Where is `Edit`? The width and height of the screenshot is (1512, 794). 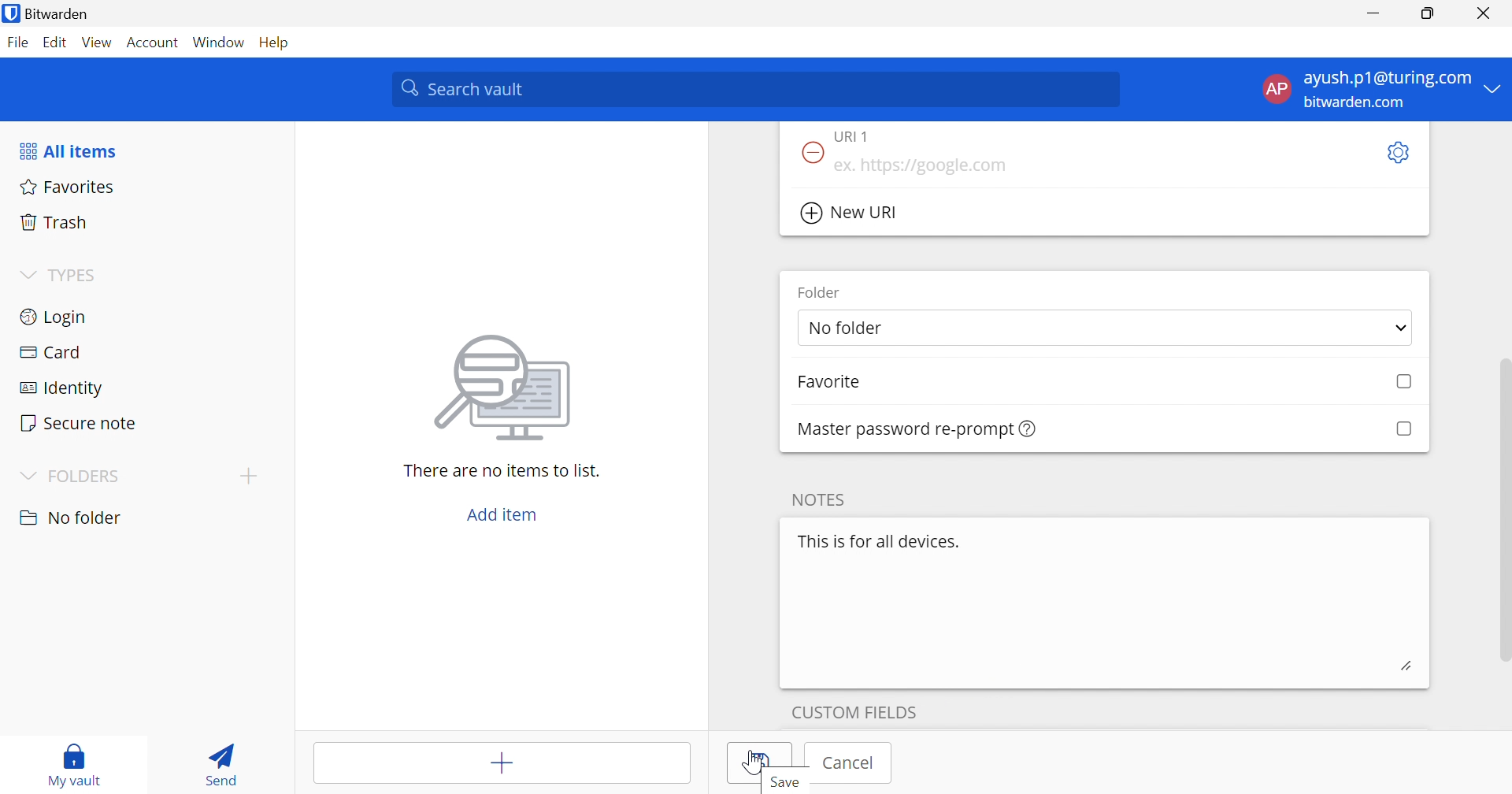
Edit is located at coordinates (54, 43).